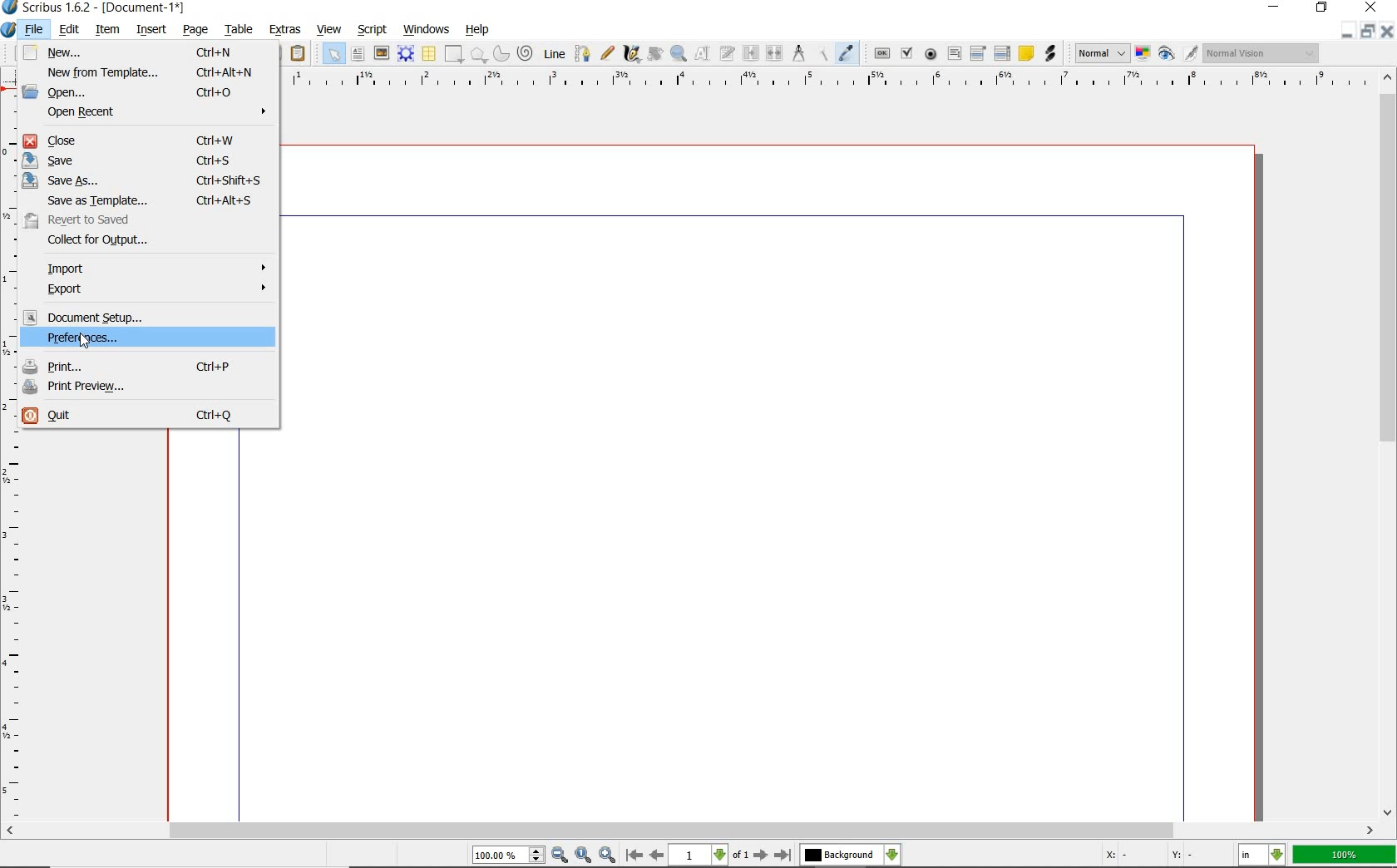  I want to click on insert, so click(151, 30).